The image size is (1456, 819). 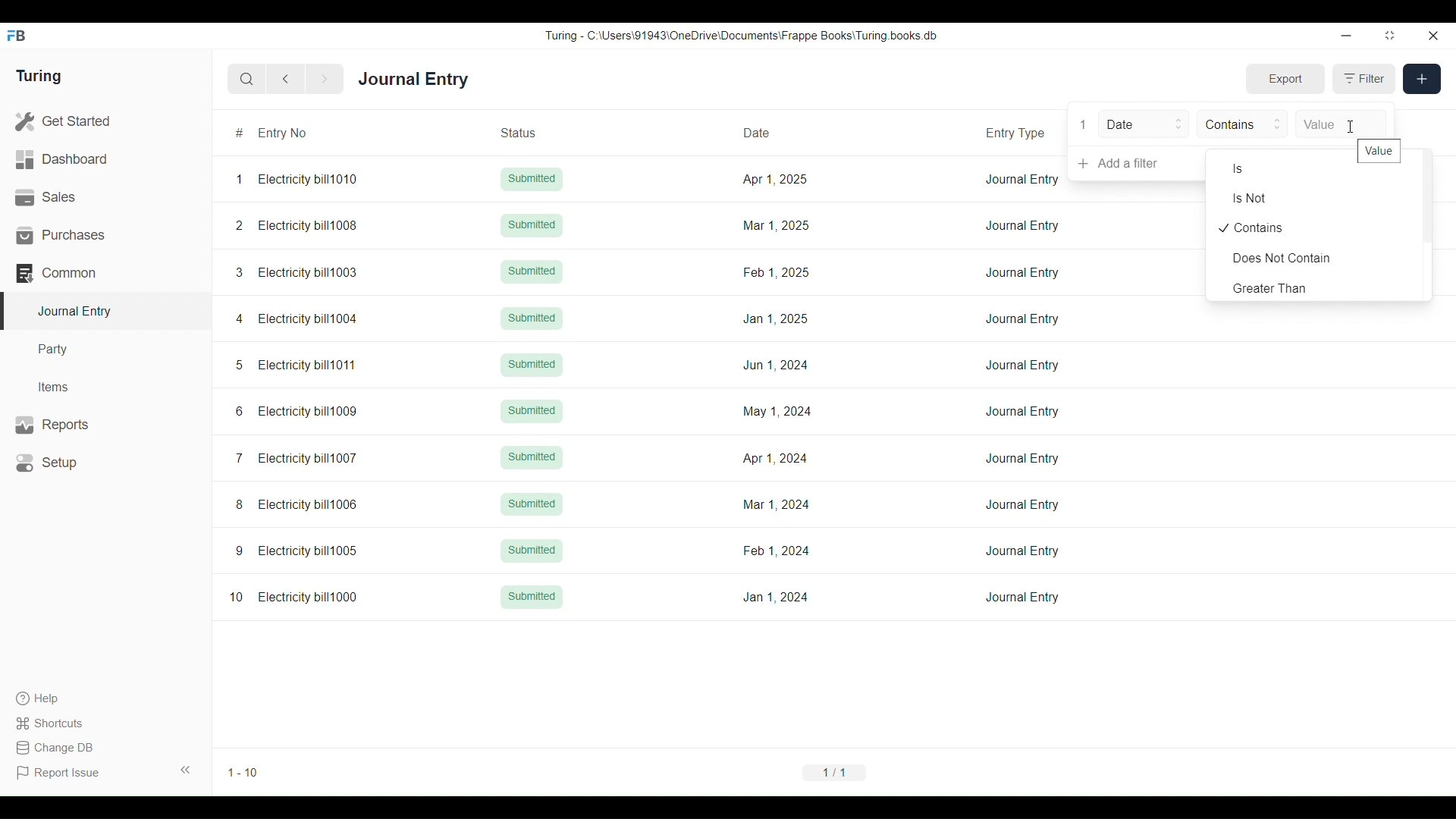 I want to click on Change DB, so click(x=58, y=748).